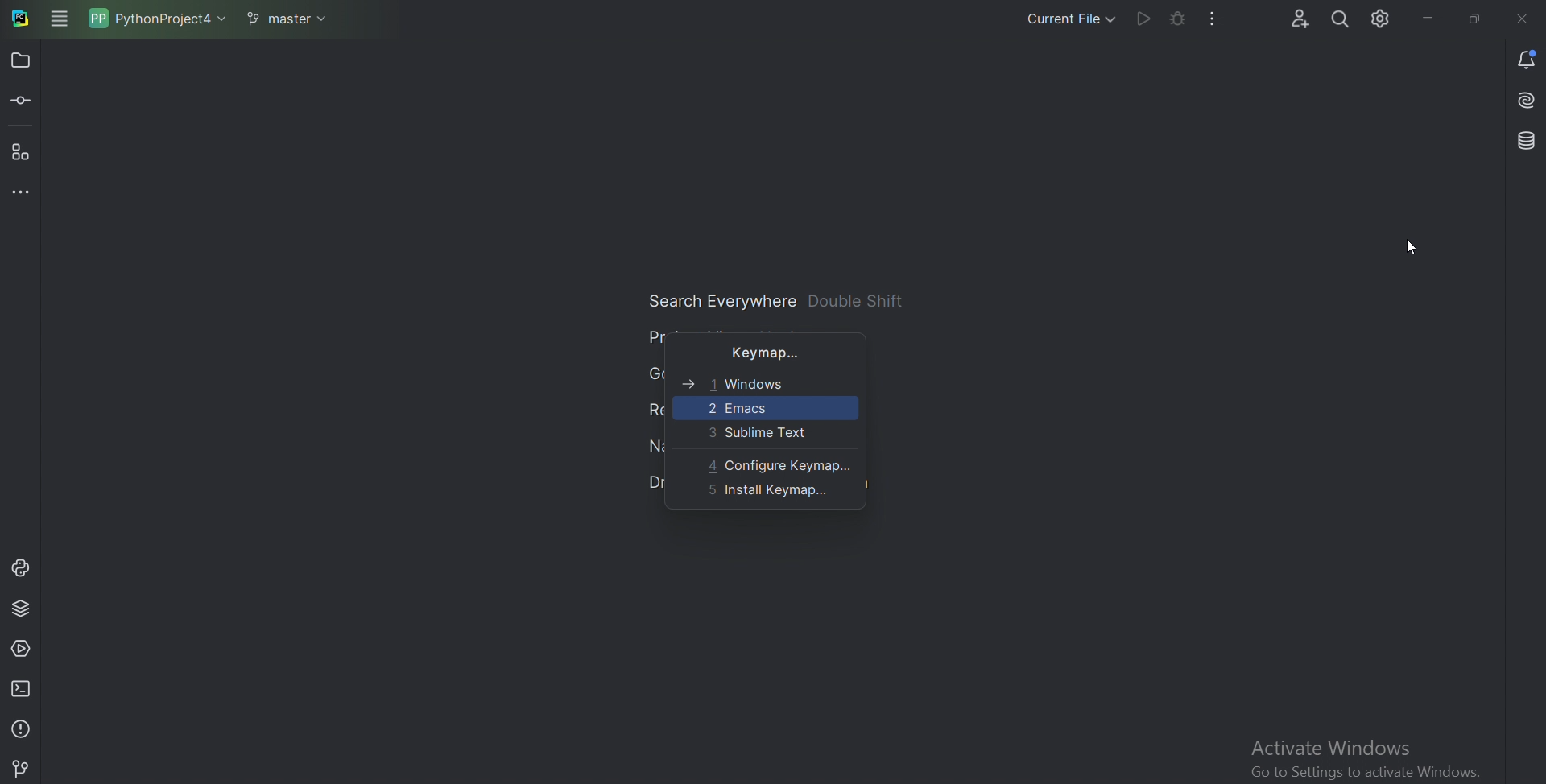 The height and width of the screenshot is (784, 1546). I want to click on Configure keymap, so click(783, 465).